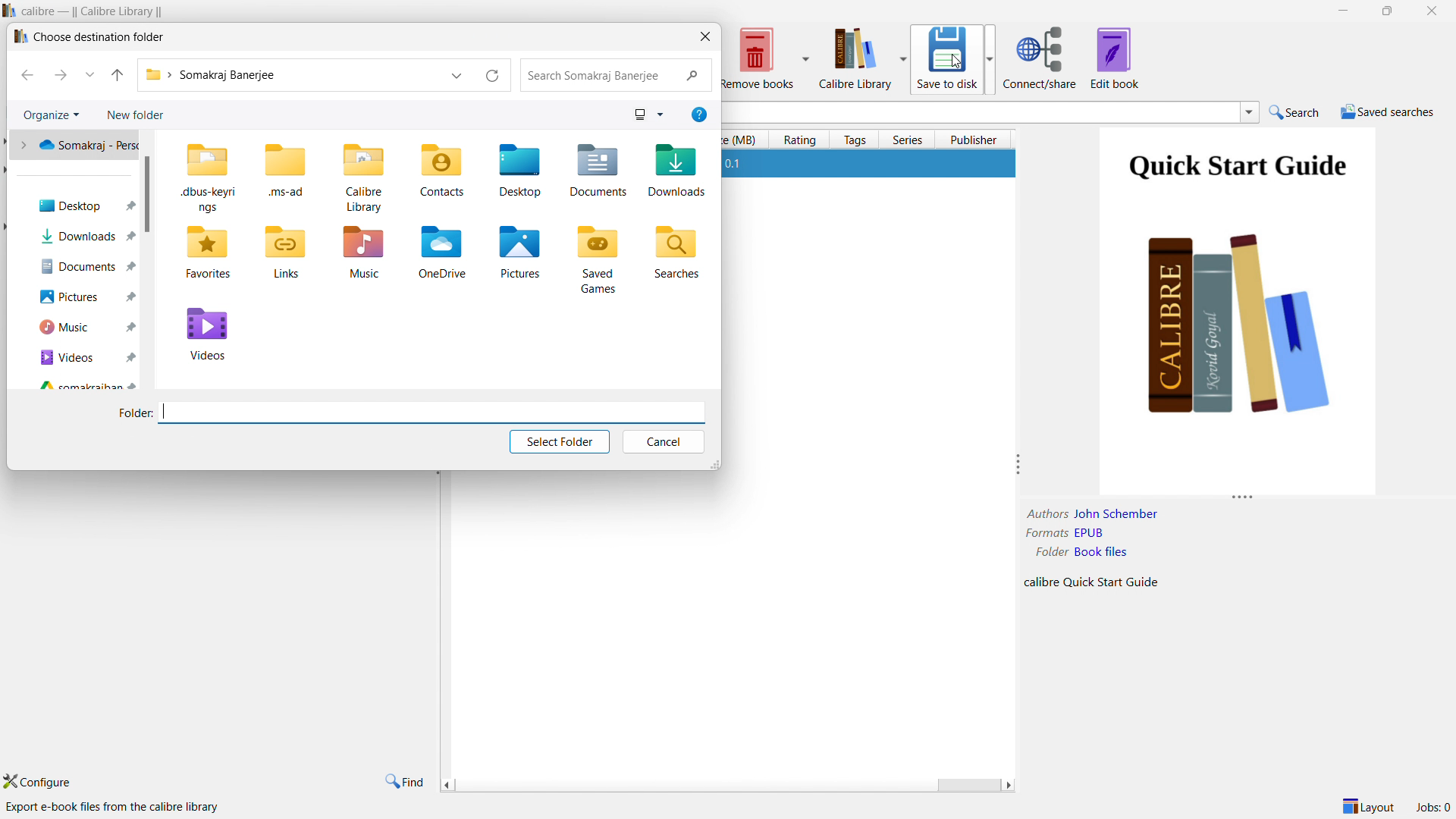  Describe the element at coordinates (1040, 58) in the screenshot. I see `connect/share` at that location.